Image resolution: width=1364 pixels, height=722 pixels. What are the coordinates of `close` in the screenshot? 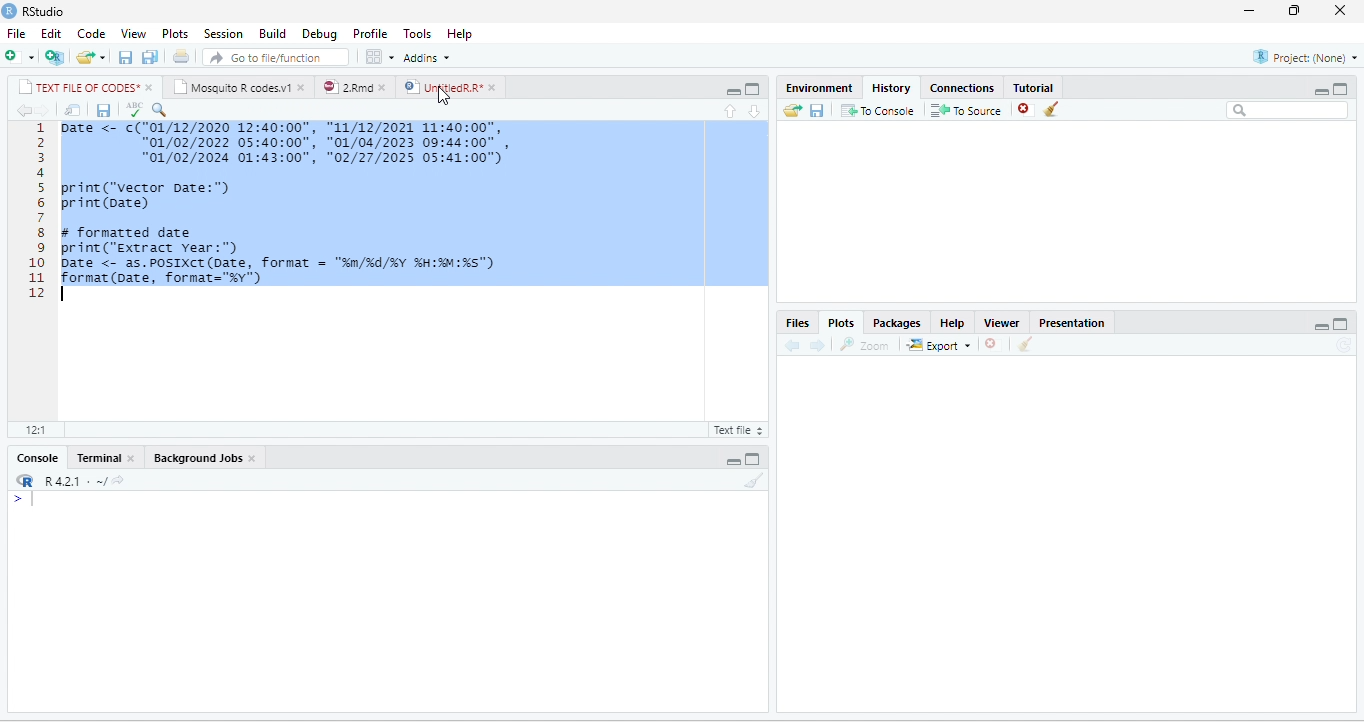 It's located at (303, 87).